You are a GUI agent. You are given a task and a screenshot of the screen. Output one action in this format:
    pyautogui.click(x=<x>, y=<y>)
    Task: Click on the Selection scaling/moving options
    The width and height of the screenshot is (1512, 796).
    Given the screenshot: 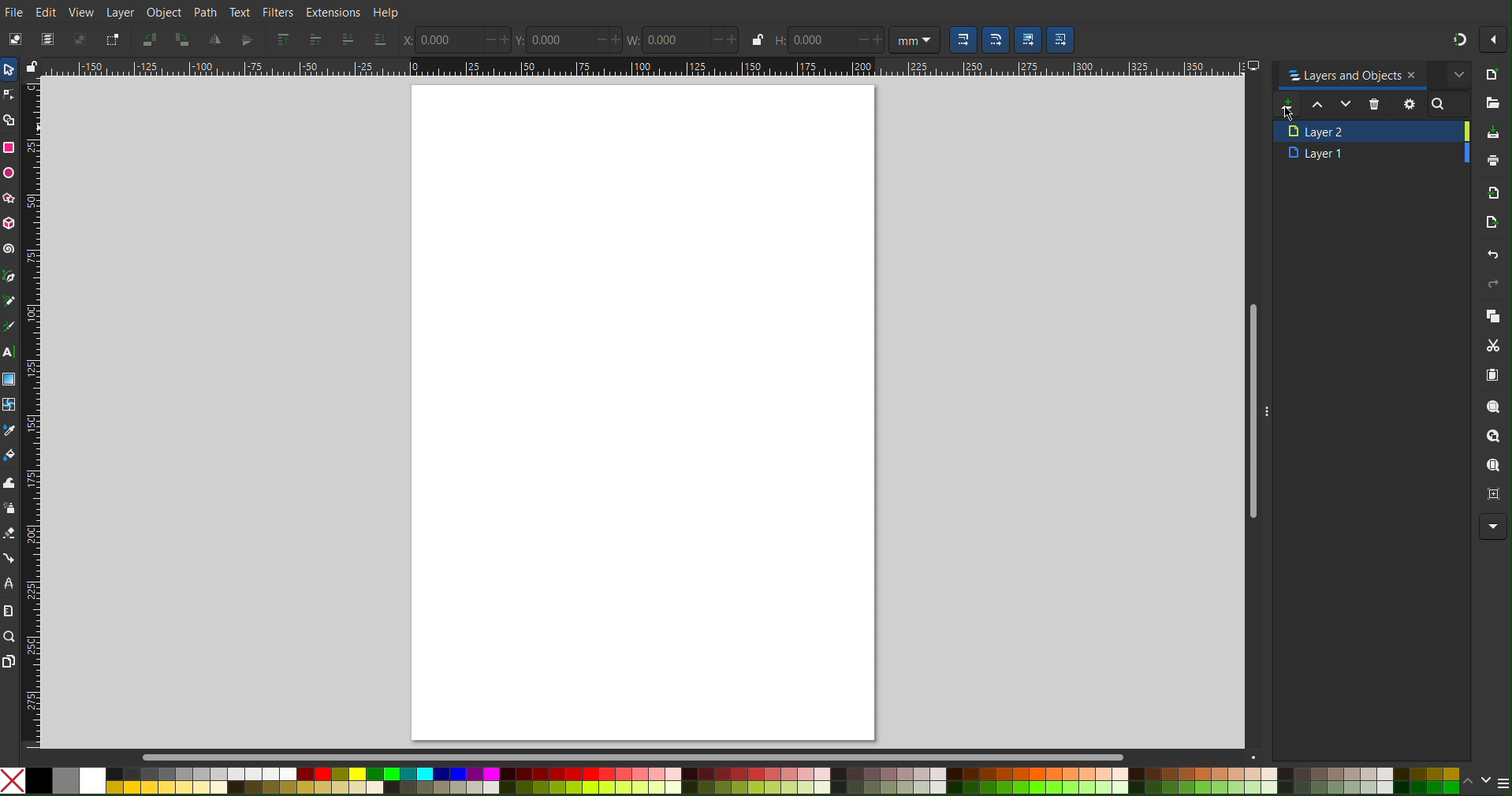 What is the action you would take?
    pyautogui.click(x=1011, y=39)
    